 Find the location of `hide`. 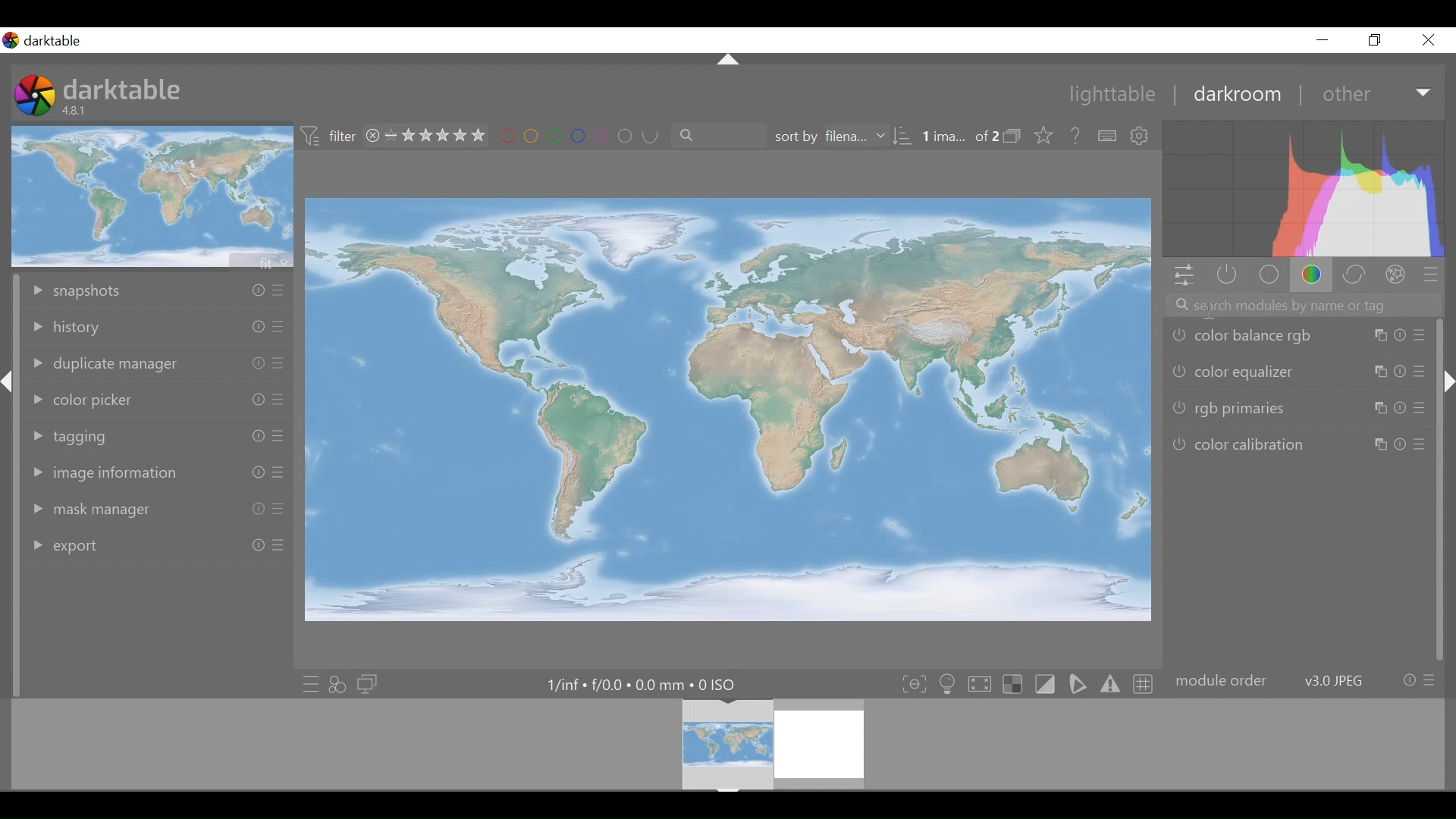

hide is located at coordinates (723, 60).